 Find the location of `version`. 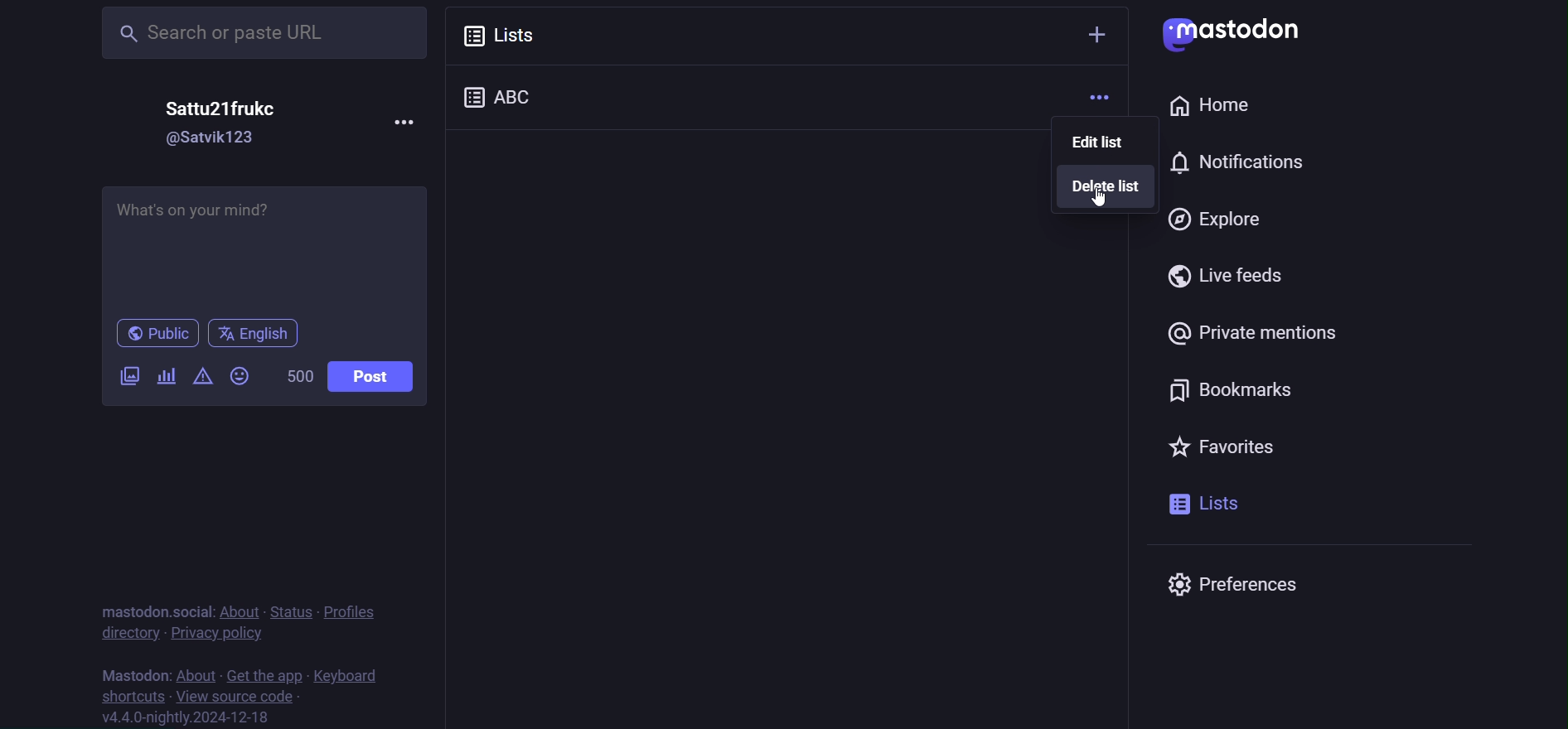

version is located at coordinates (197, 718).